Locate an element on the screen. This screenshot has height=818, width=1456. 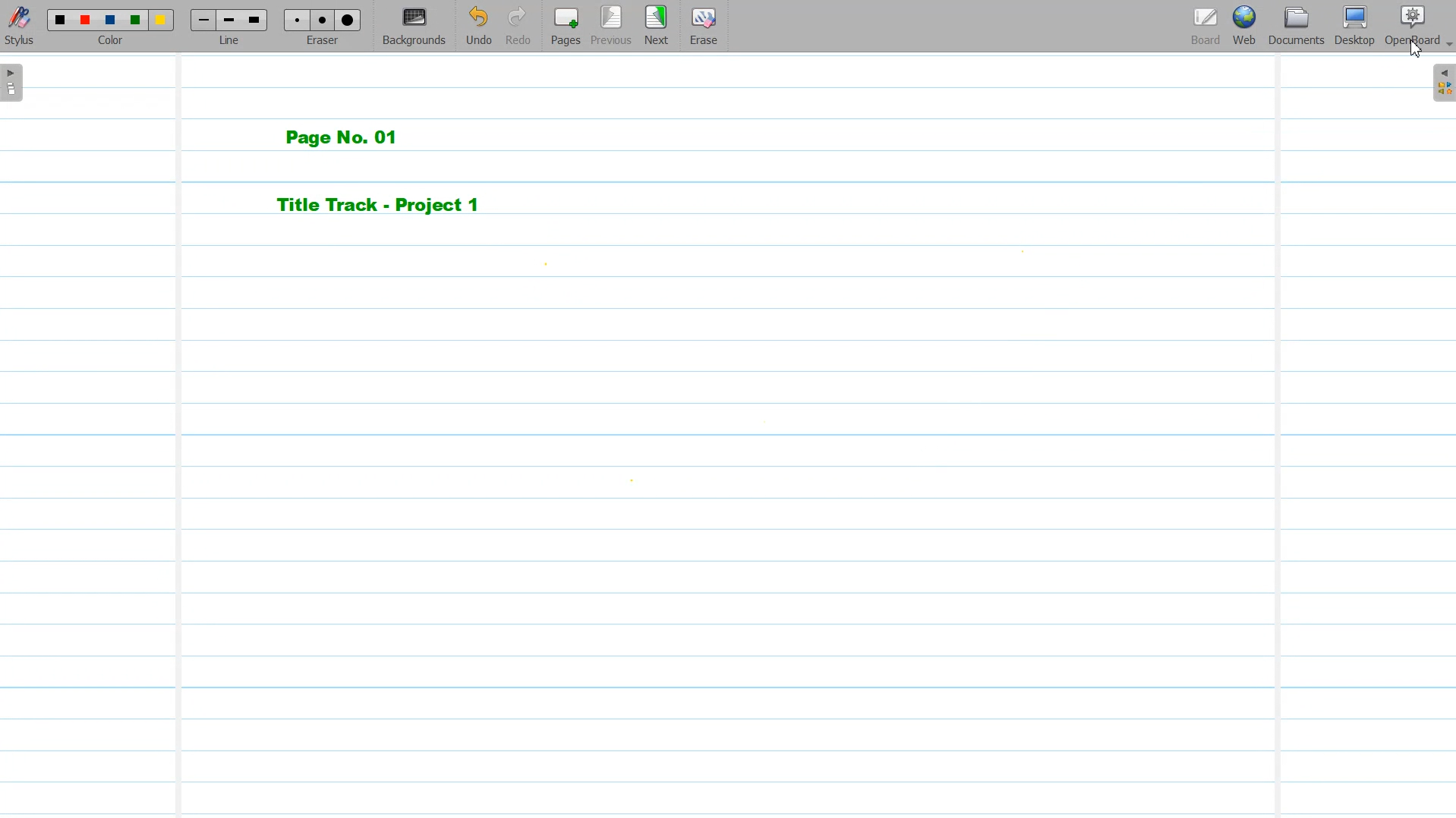
Dropdown box is located at coordinates (1447, 47).